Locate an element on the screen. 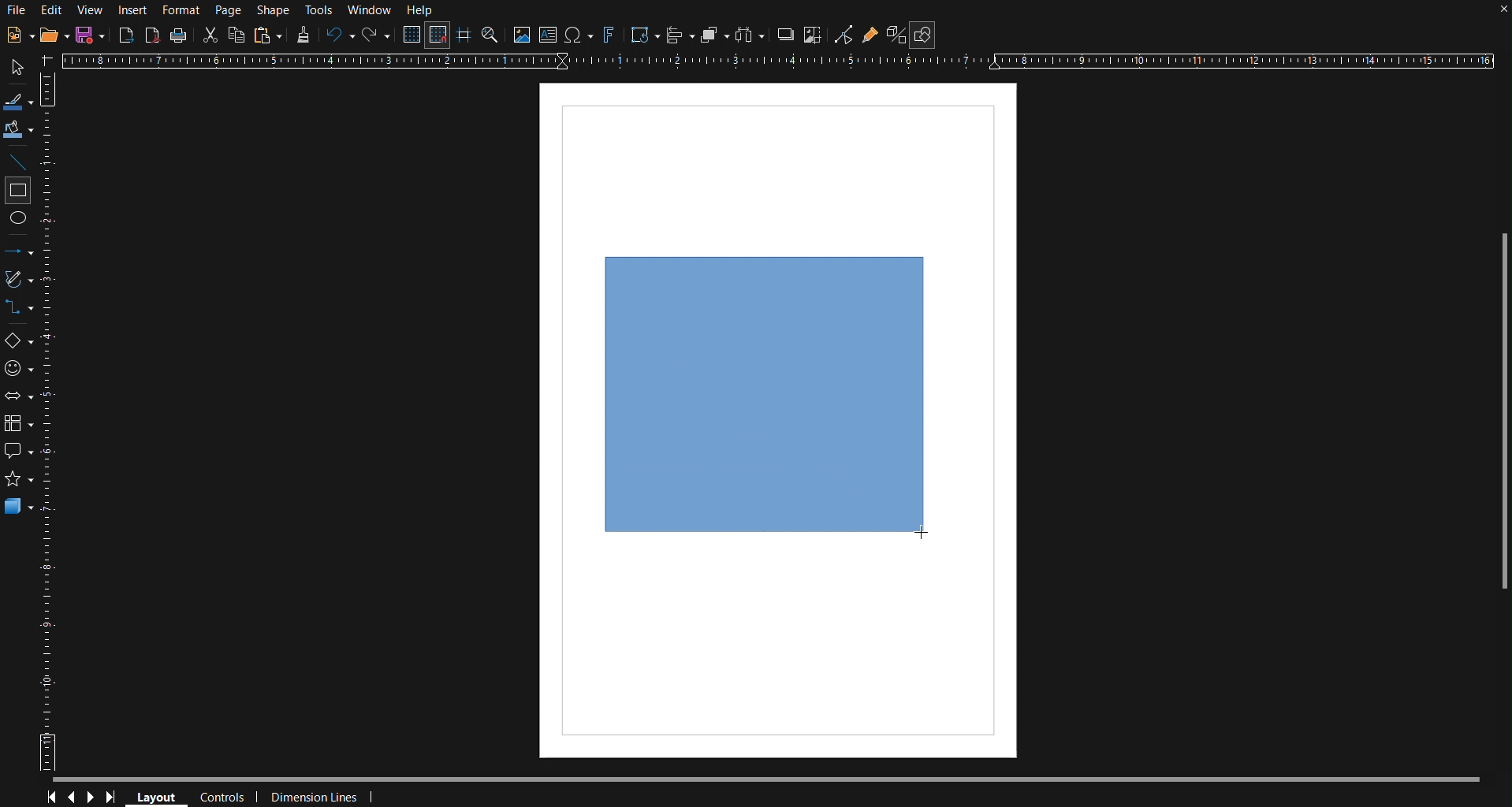 The image size is (1512, 807). Shadow is located at coordinates (784, 34).